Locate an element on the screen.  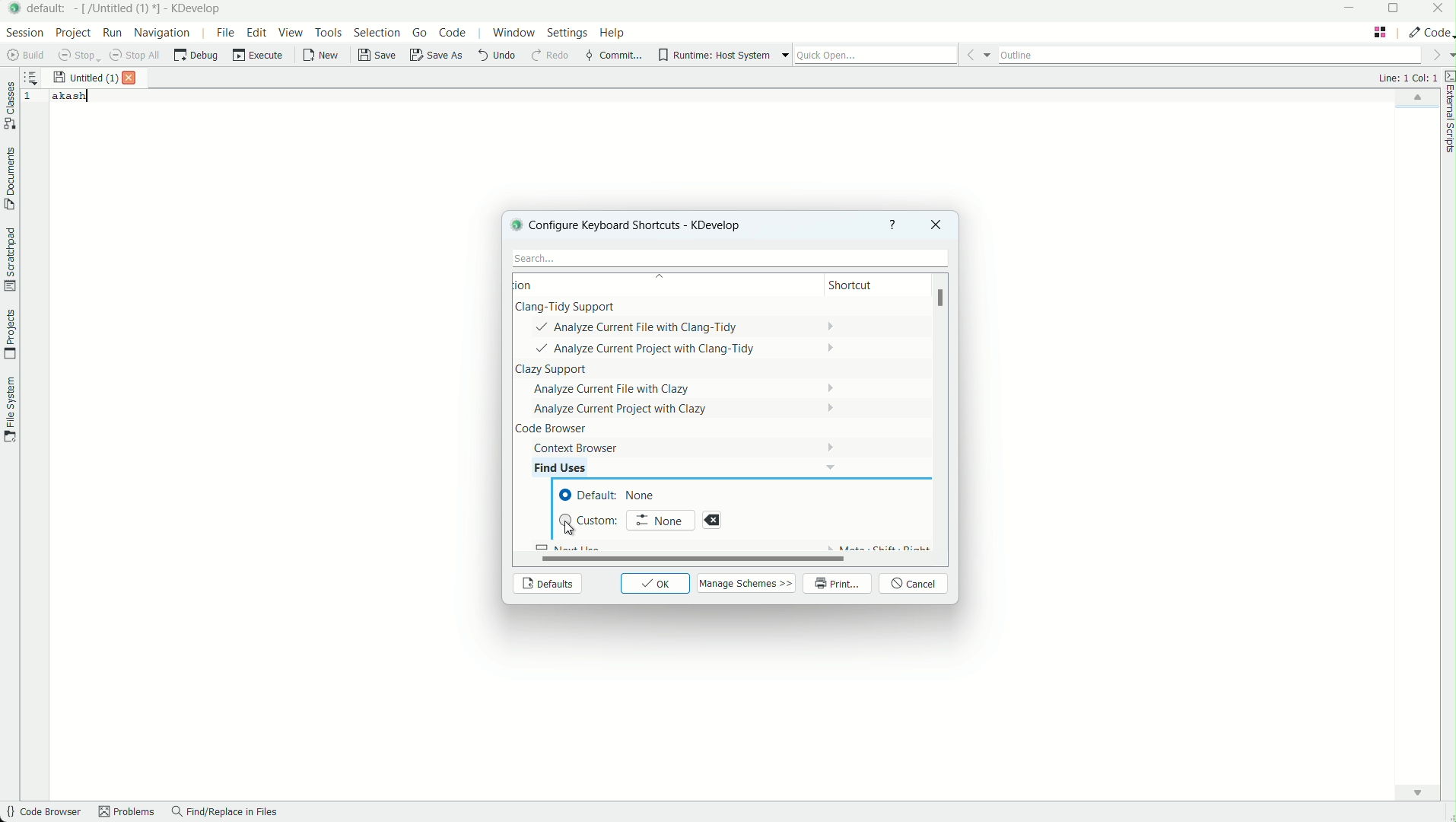
cursor positions is located at coordinates (1407, 78).